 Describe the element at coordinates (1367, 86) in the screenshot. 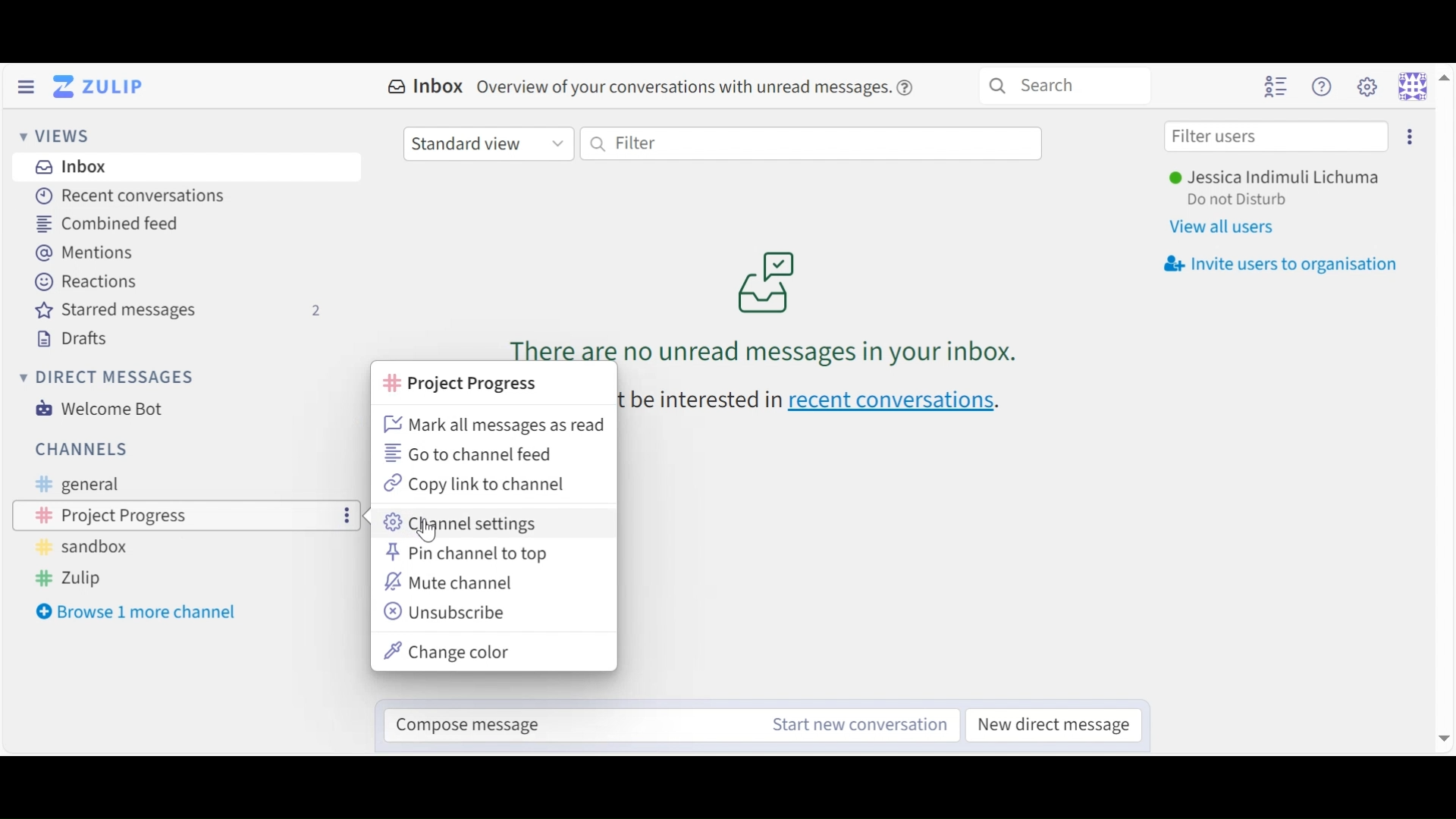

I see `Main menu` at that location.